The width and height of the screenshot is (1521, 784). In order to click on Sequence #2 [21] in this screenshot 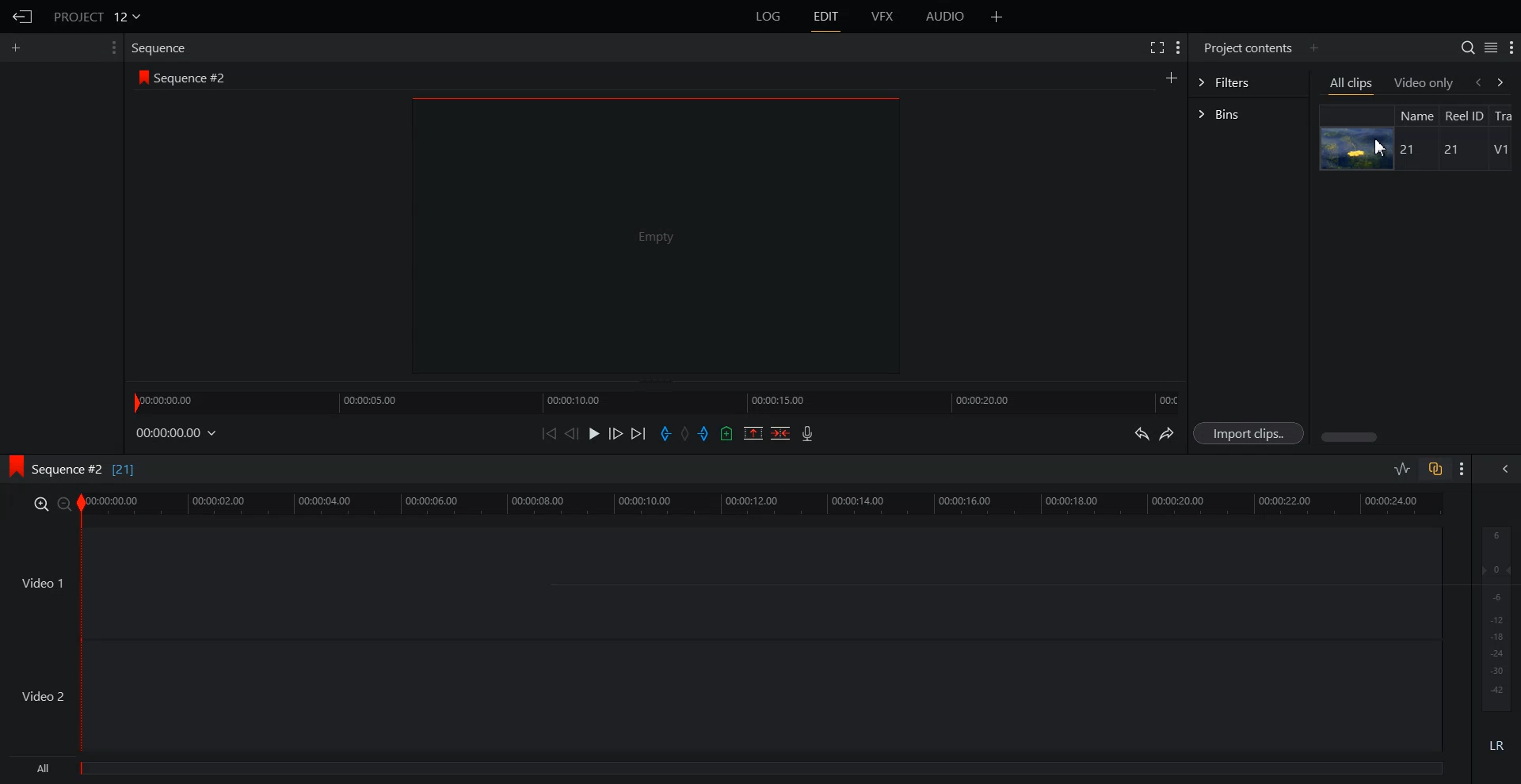, I will do `click(85, 470)`.